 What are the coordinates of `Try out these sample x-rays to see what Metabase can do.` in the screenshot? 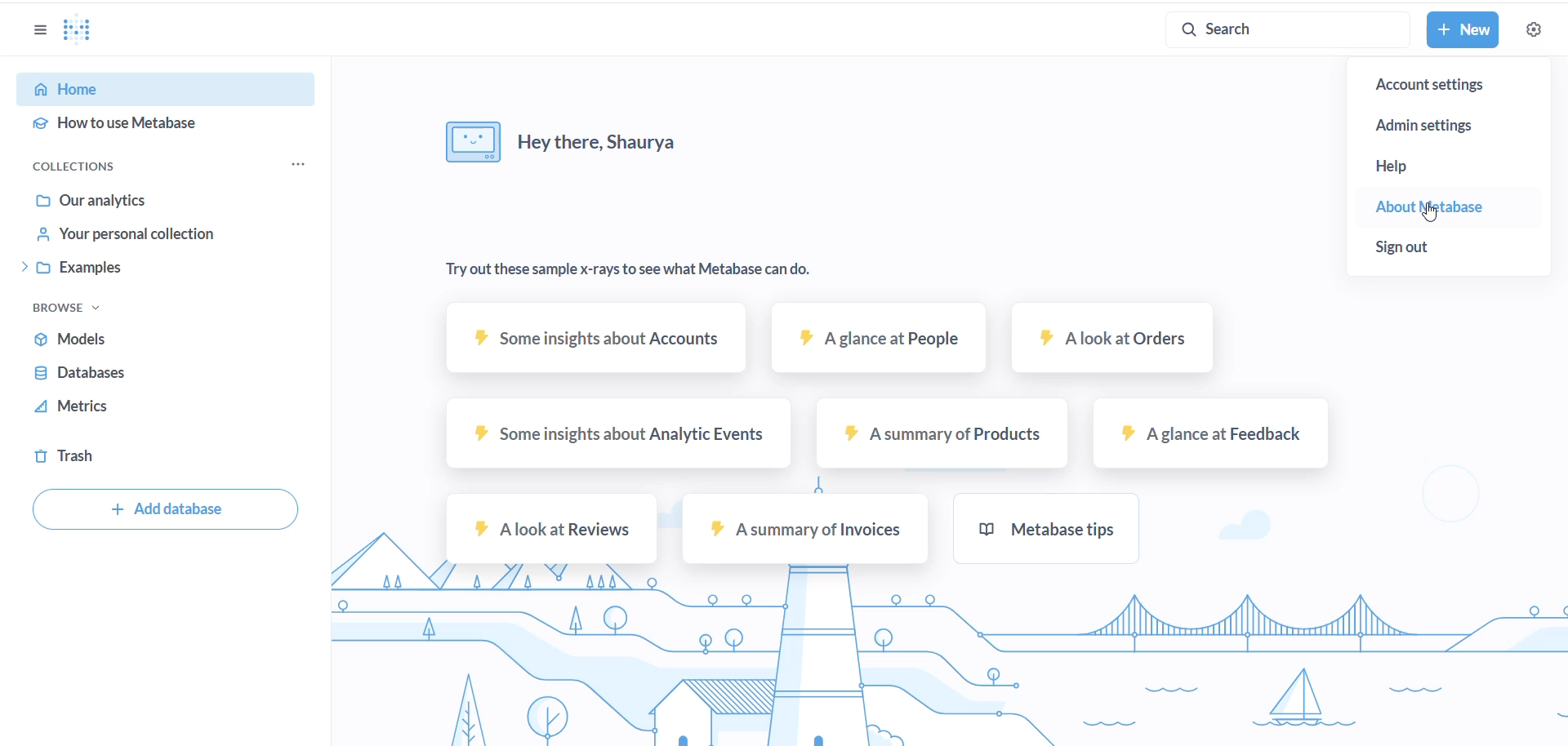 It's located at (632, 269).